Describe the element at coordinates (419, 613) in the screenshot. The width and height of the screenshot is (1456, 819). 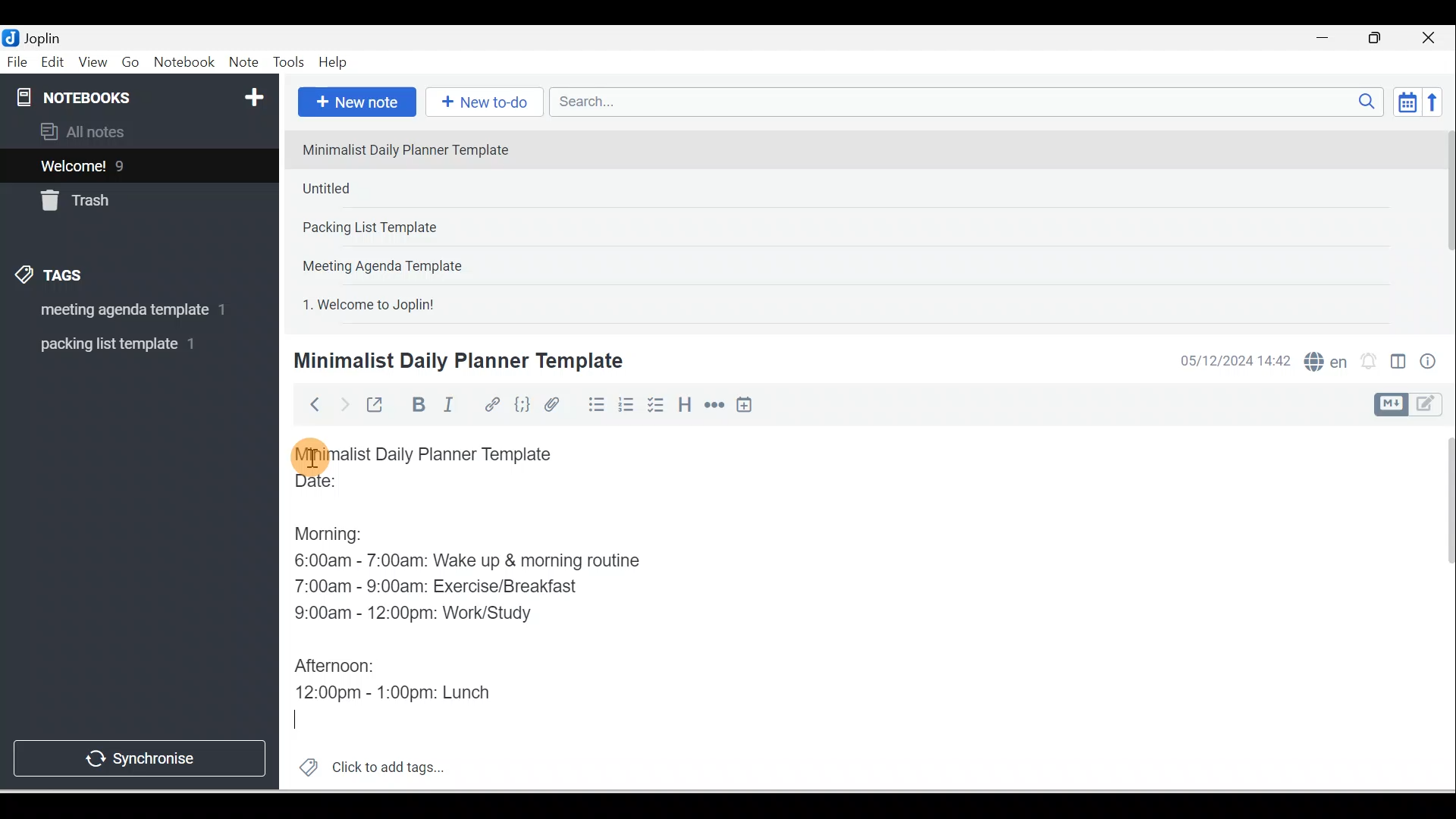
I see `9:00am - 12:00pm: Work/Study` at that location.